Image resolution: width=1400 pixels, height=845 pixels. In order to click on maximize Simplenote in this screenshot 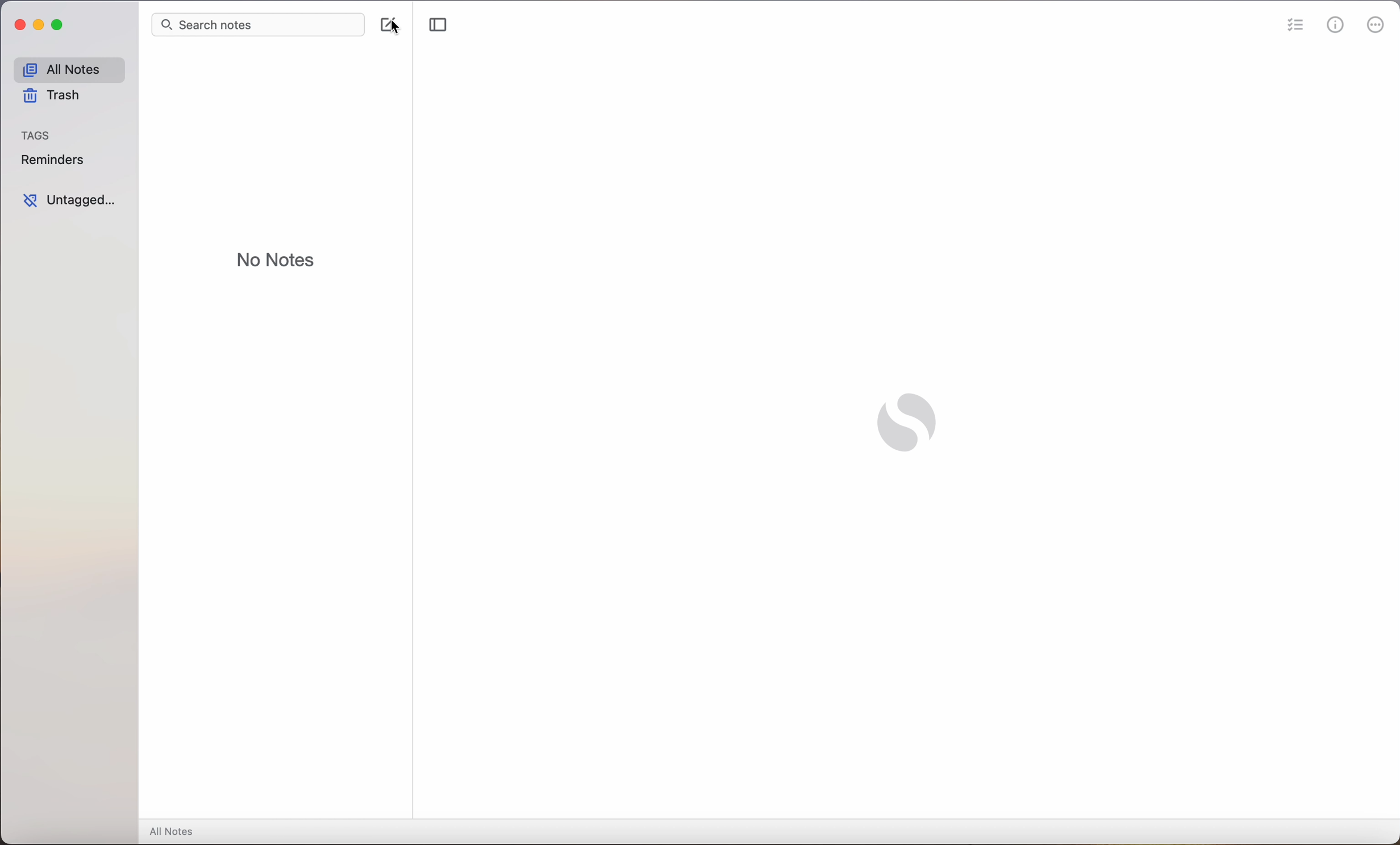, I will do `click(60, 24)`.